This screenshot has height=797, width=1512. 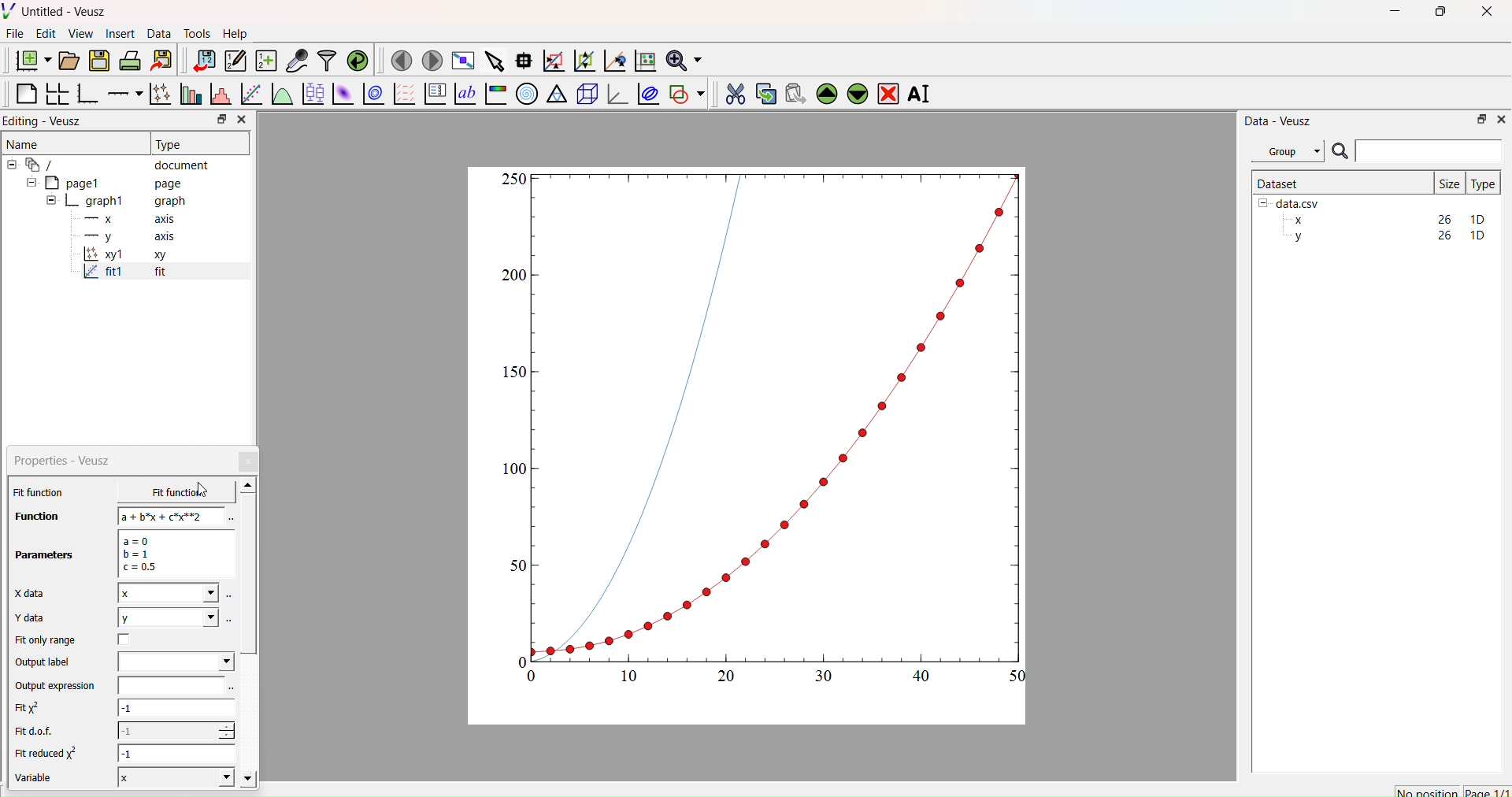 What do you see at coordinates (41, 780) in the screenshot?
I see `Variable` at bounding box center [41, 780].